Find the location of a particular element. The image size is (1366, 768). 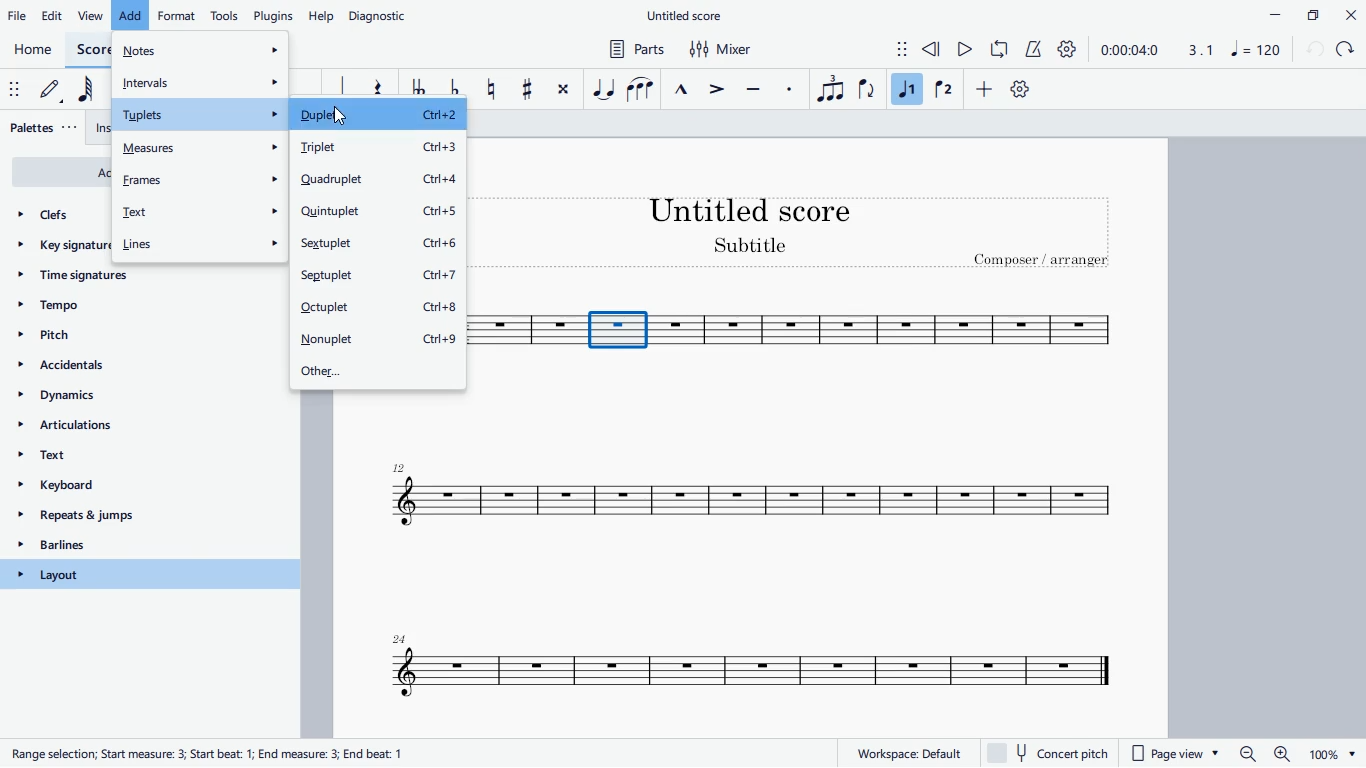

augmentation dot is located at coordinates (338, 86).